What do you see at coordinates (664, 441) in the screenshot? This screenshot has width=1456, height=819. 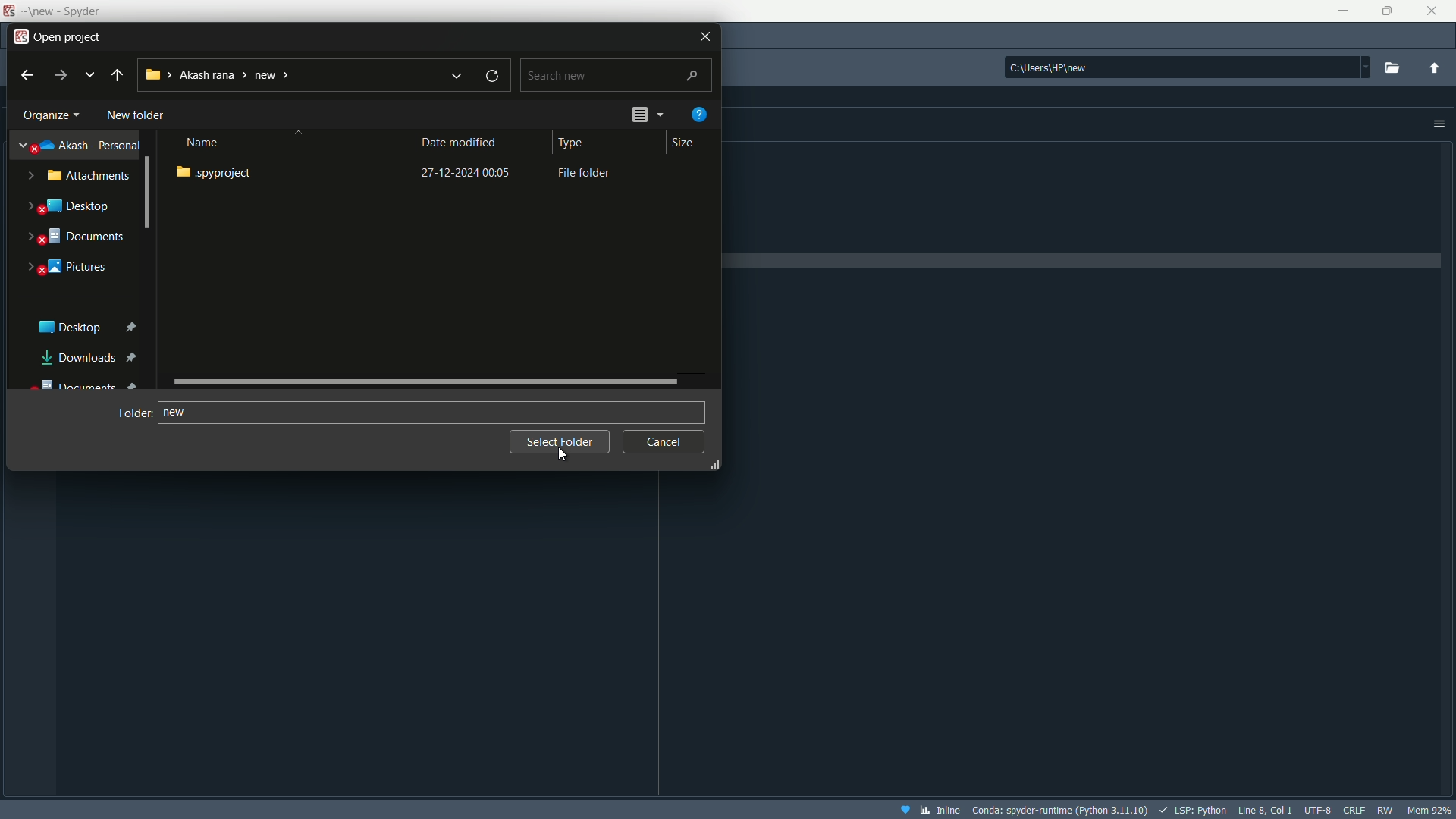 I see `cancel` at bounding box center [664, 441].